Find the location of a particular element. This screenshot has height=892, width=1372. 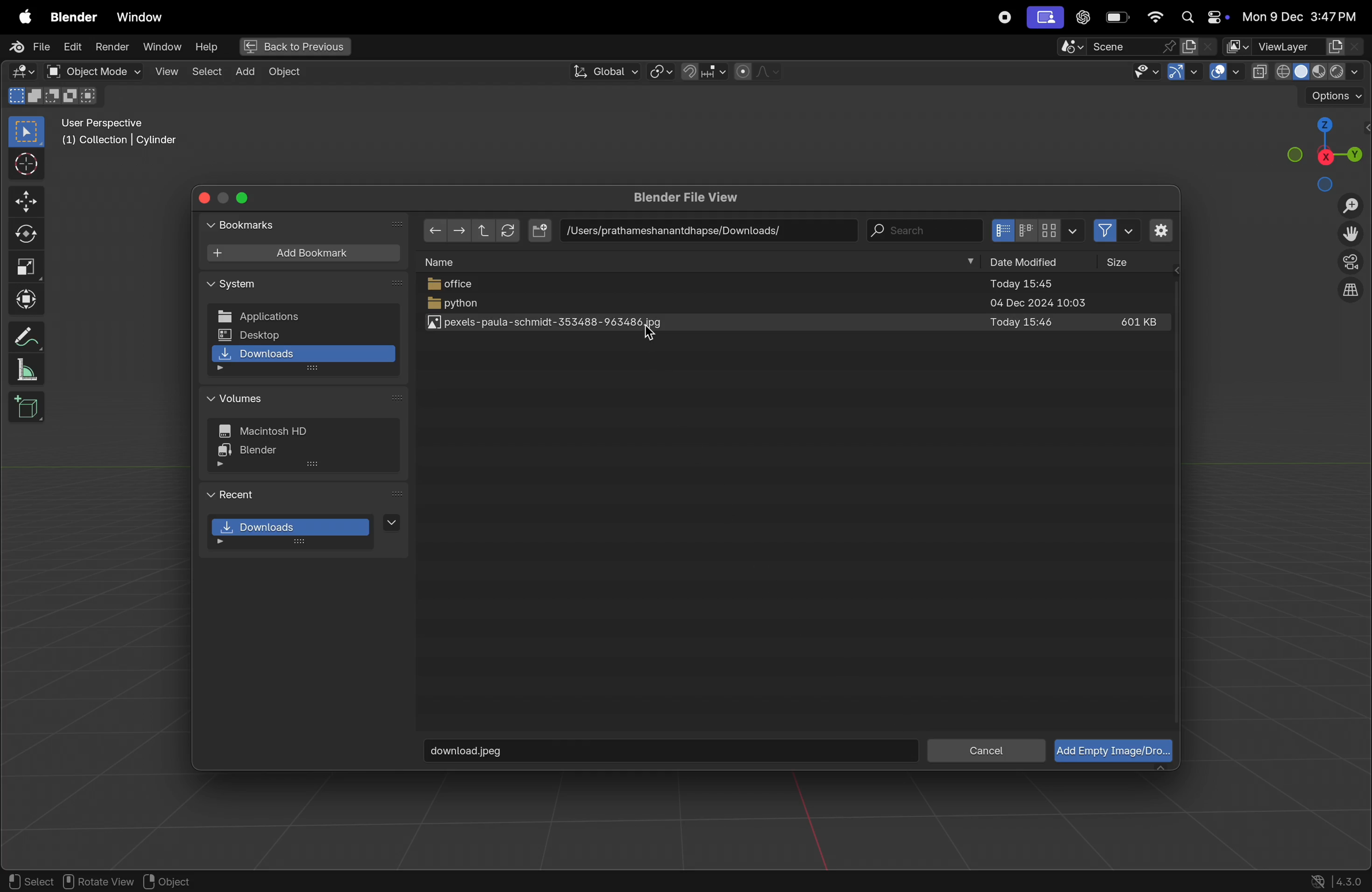

modes is located at coordinates (56, 97).